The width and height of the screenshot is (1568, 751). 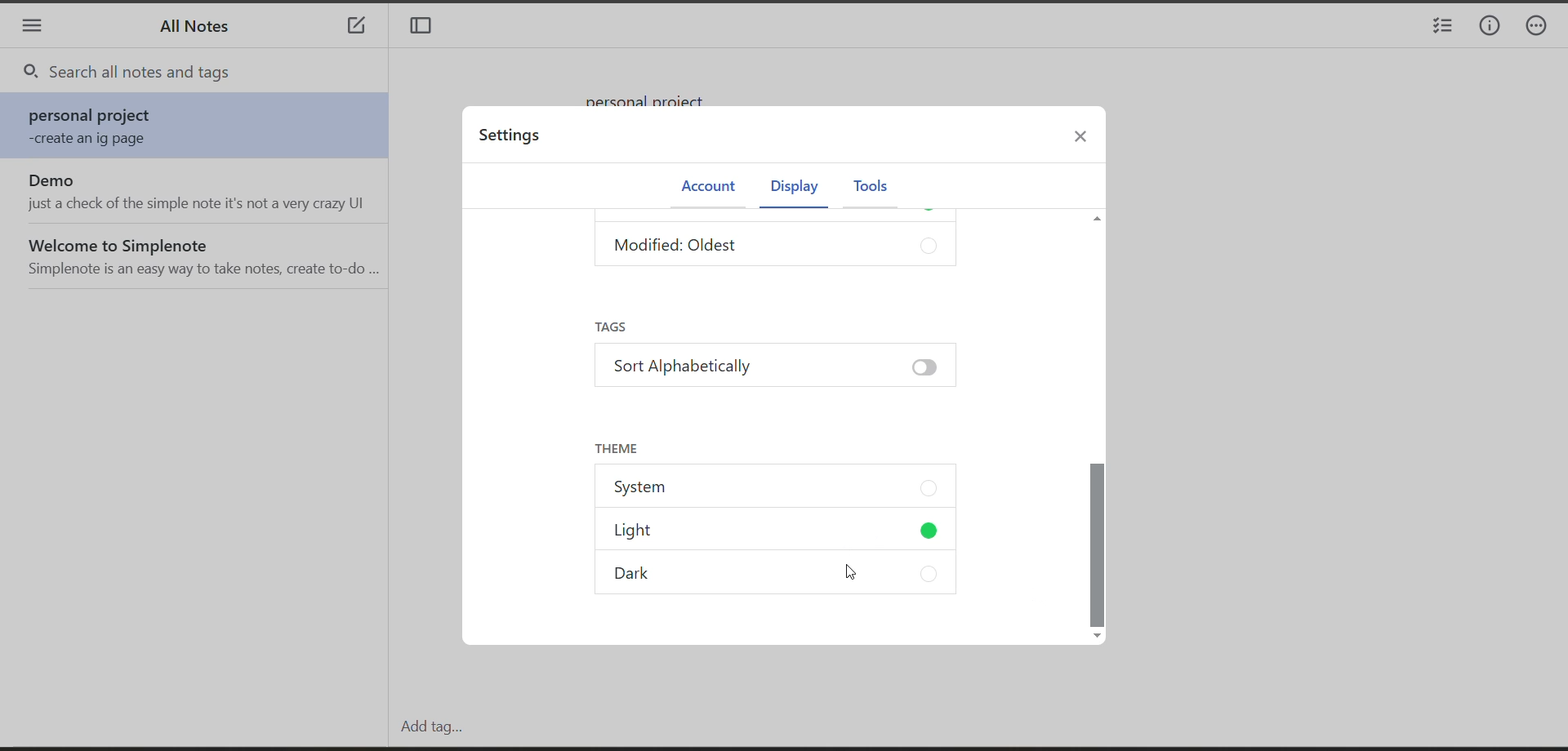 What do you see at coordinates (706, 187) in the screenshot?
I see `account` at bounding box center [706, 187].